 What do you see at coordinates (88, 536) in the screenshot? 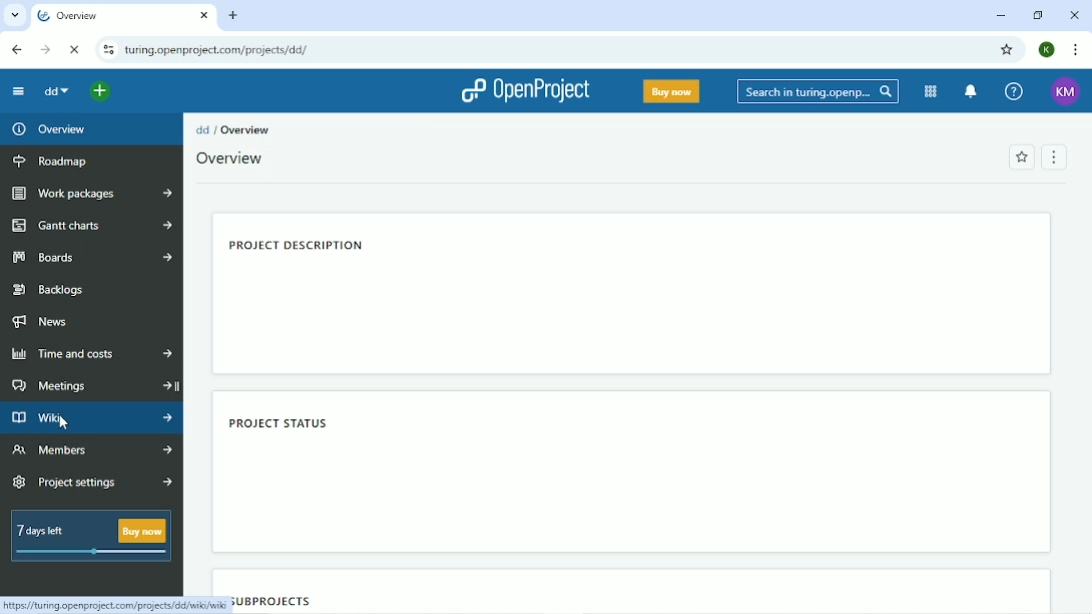
I see `7 days left` at bounding box center [88, 536].